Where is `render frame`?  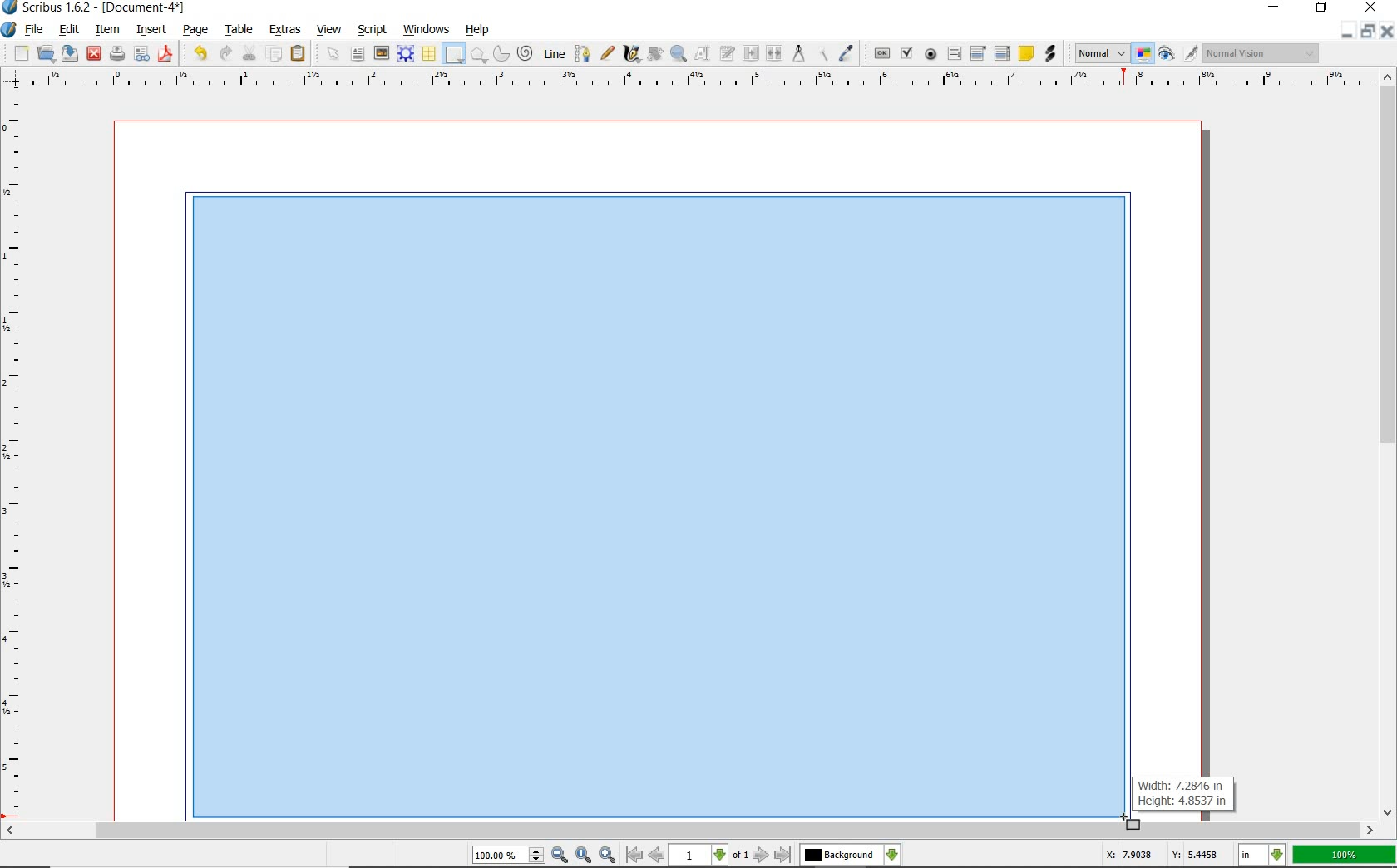
render frame is located at coordinates (407, 55).